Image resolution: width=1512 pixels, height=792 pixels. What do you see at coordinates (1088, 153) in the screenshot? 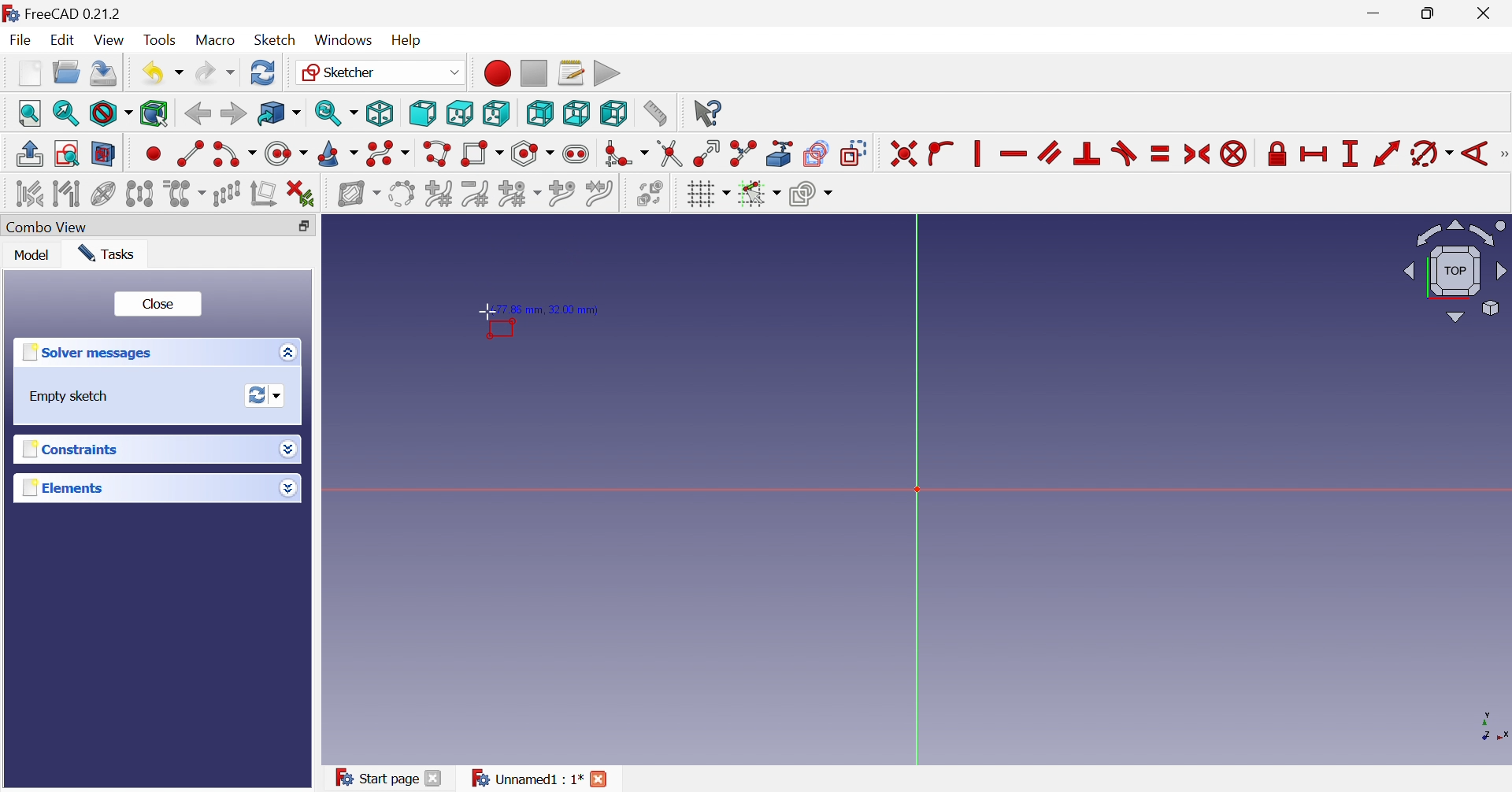
I see `Constrain perpendicular` at bounding box center [1088, 153].